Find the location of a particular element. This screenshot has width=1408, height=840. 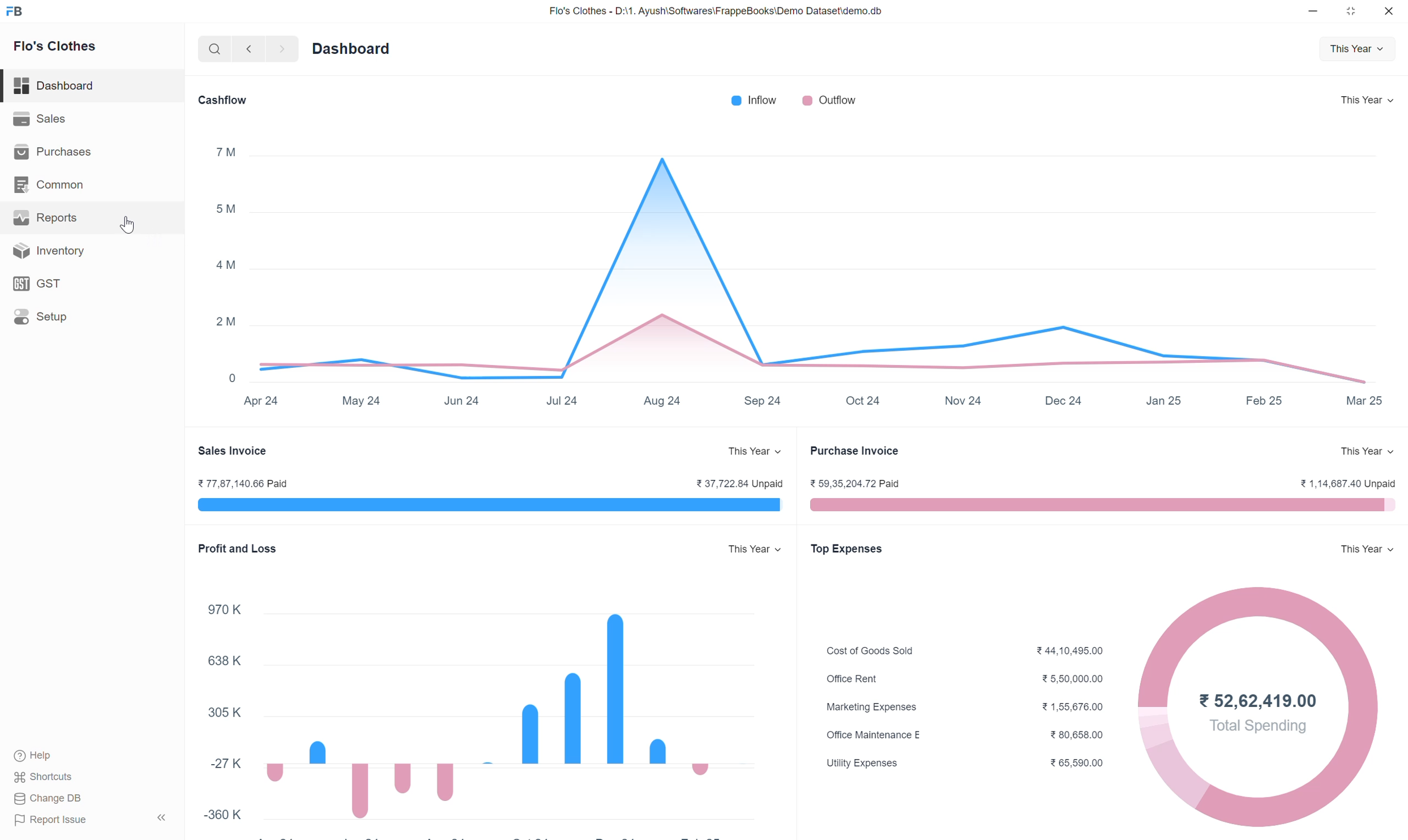

close is located at coordinates (1388, 11).